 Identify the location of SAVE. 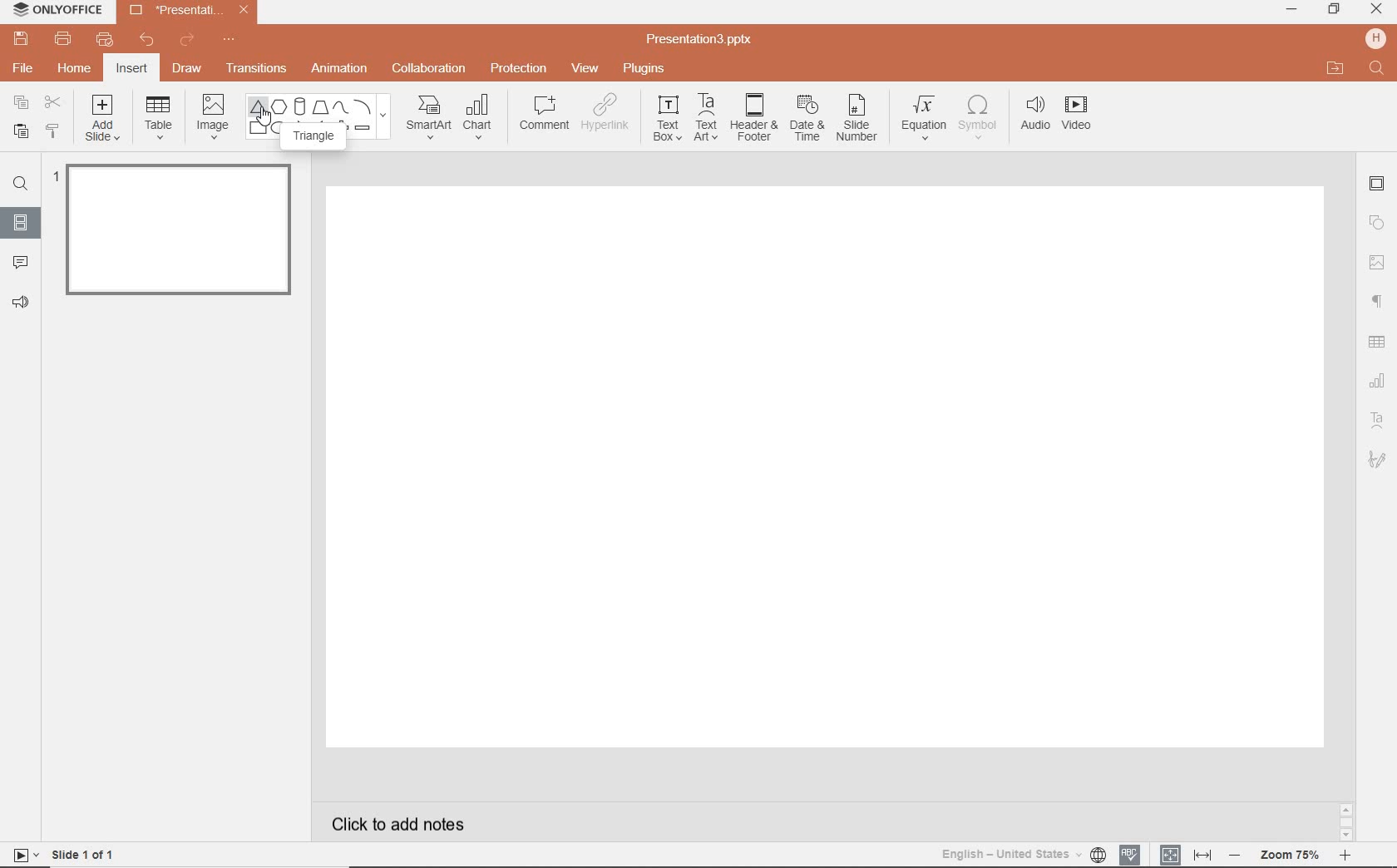
(23, 37).